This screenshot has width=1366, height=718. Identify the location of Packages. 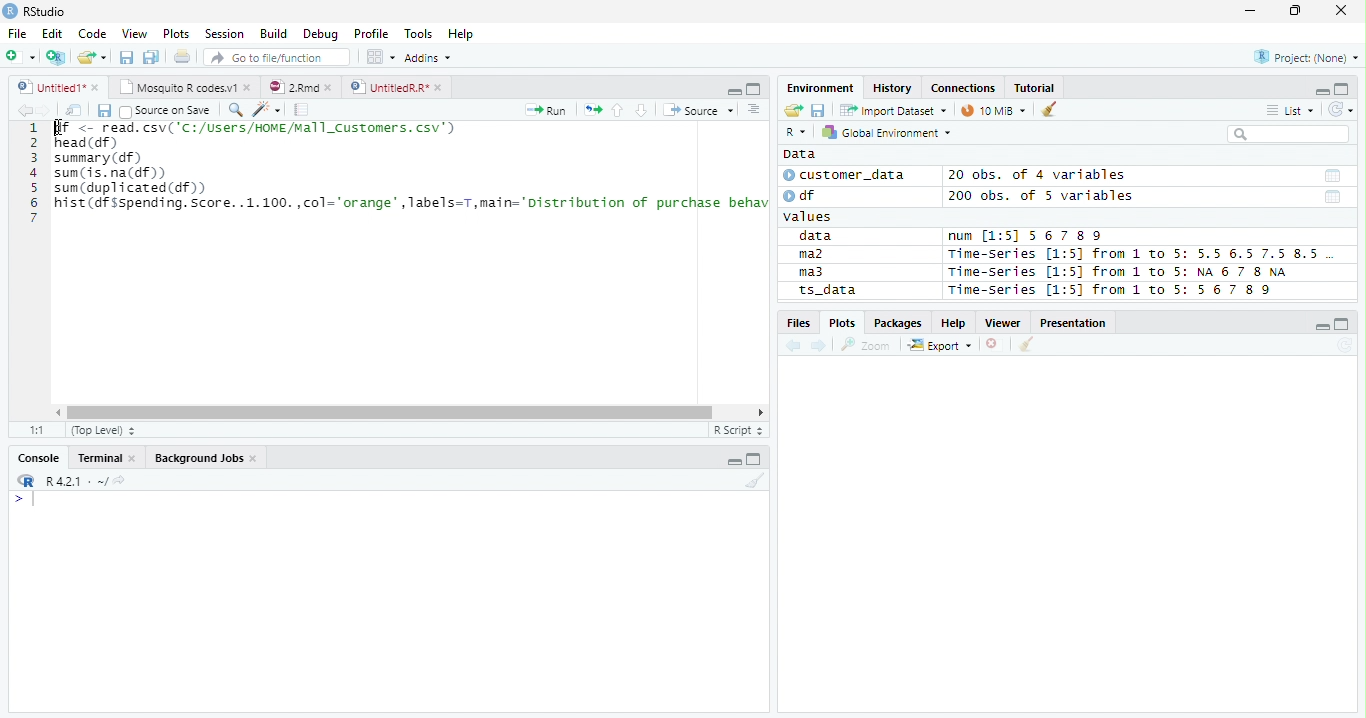
(897, 324).